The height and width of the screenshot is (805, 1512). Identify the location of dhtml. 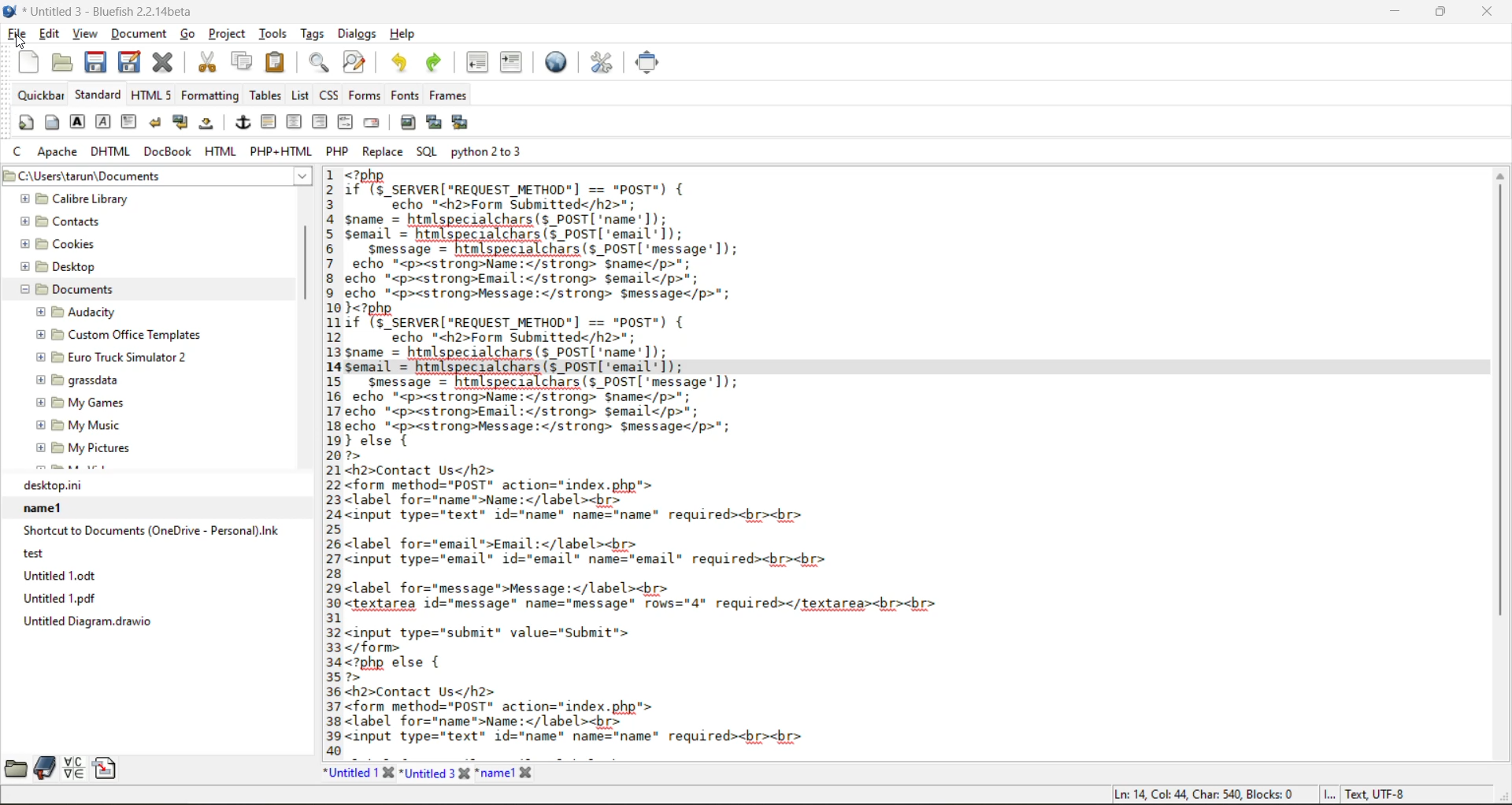
(111, 153).